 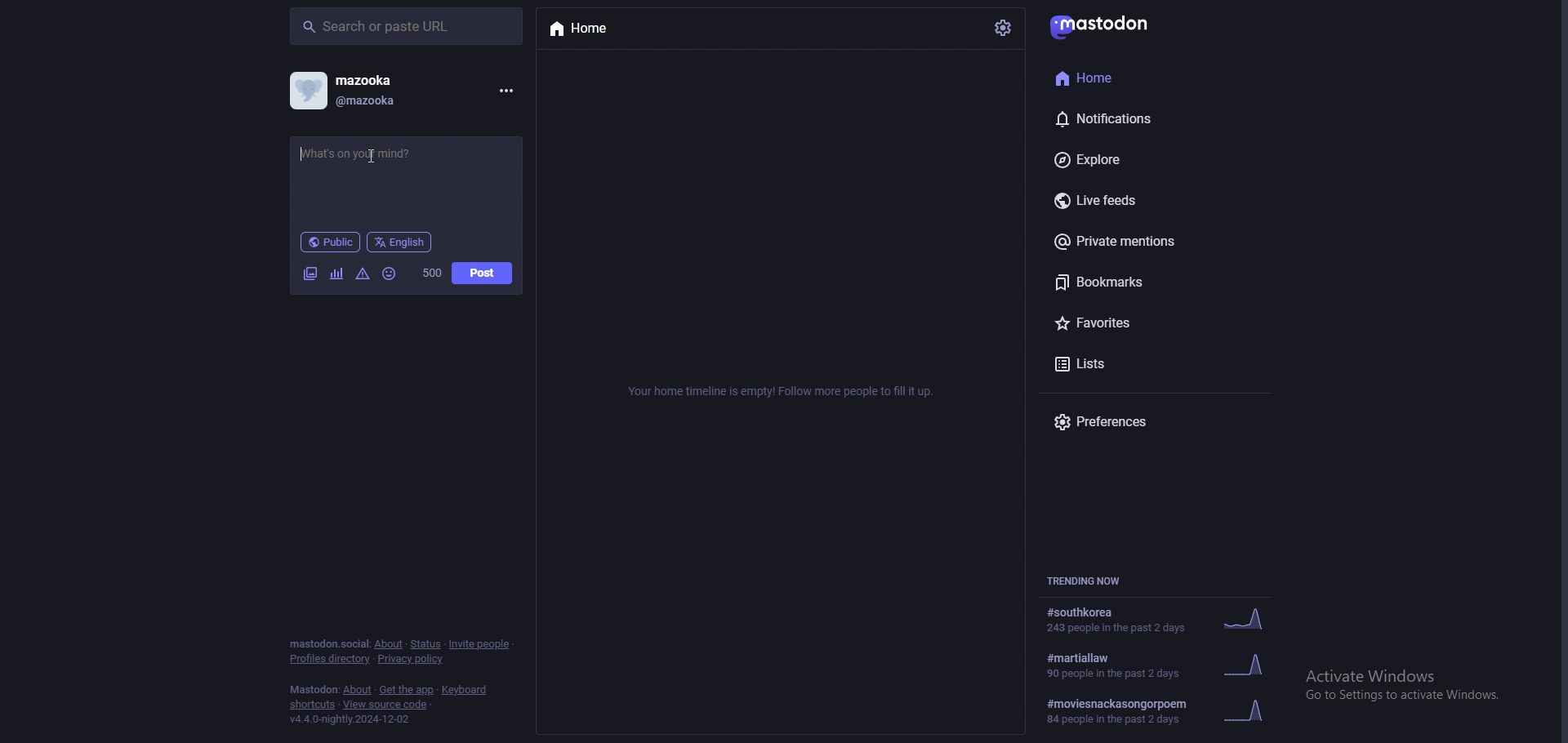 What do you see at coordinates (389, 645) in the screenshot?
I see `about` at bounding box center [389, 645].